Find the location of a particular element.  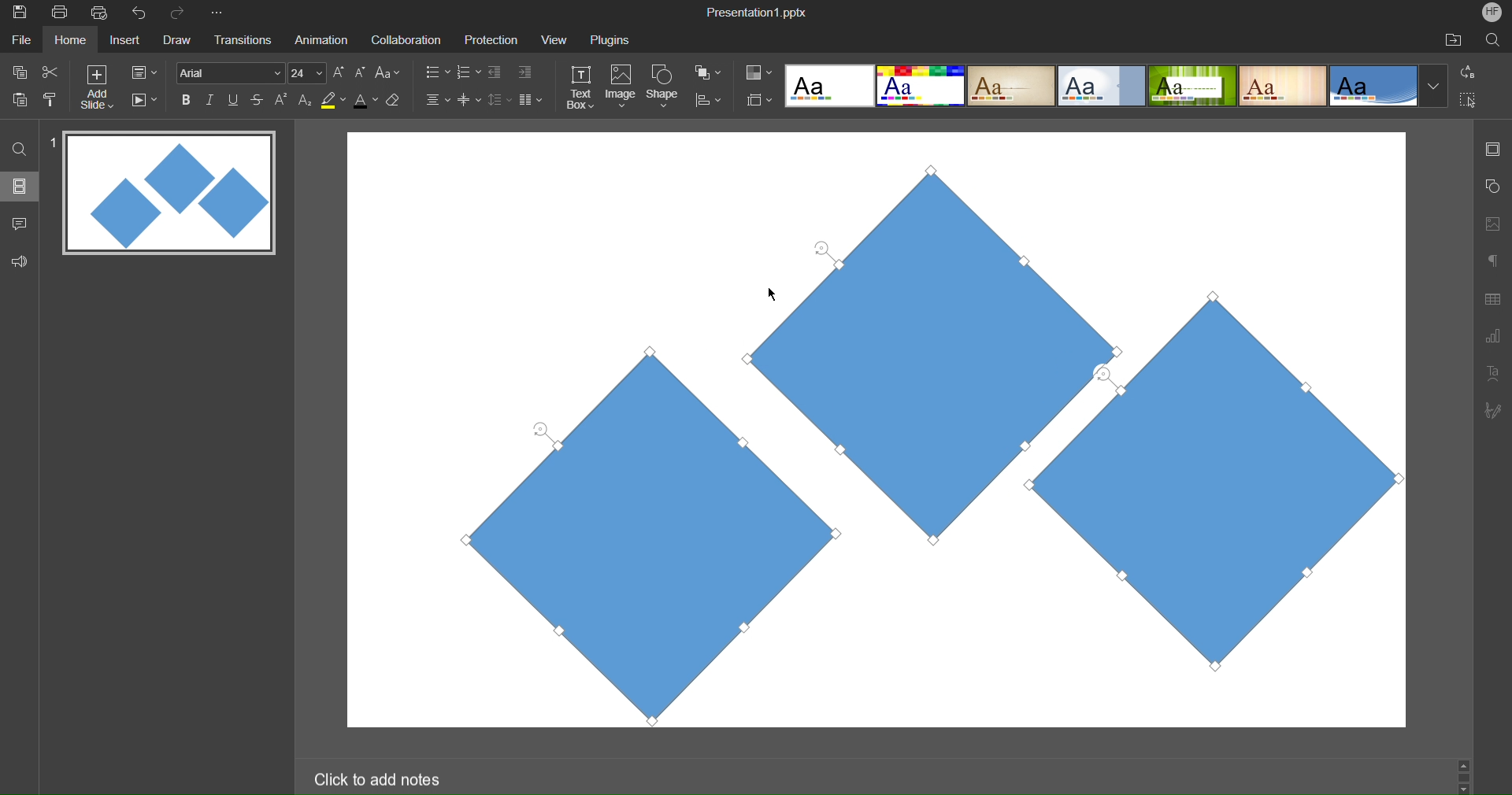

Slide Templates is located at coordinates (1117, 84).